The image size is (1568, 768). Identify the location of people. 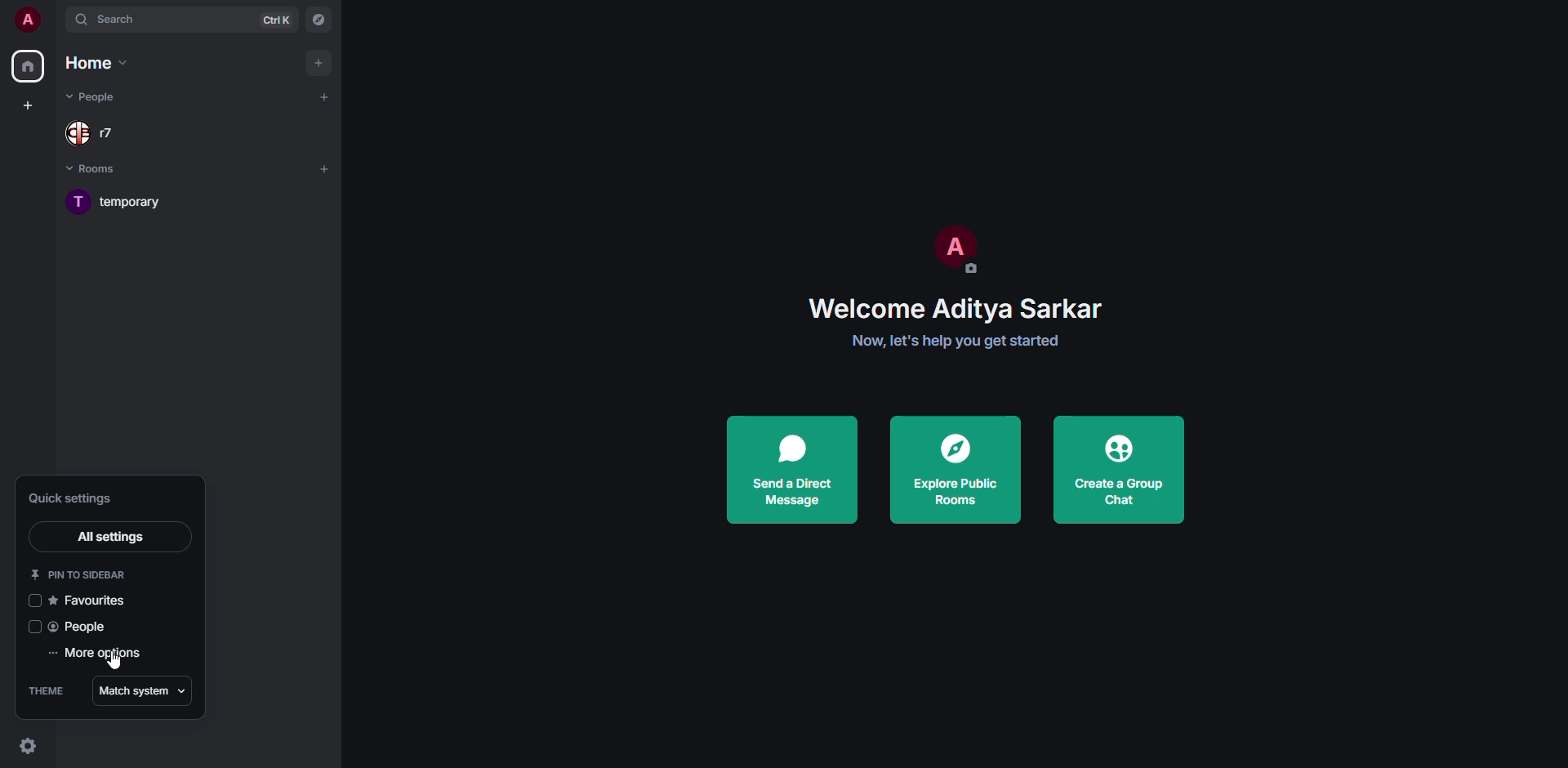
(86, 627).